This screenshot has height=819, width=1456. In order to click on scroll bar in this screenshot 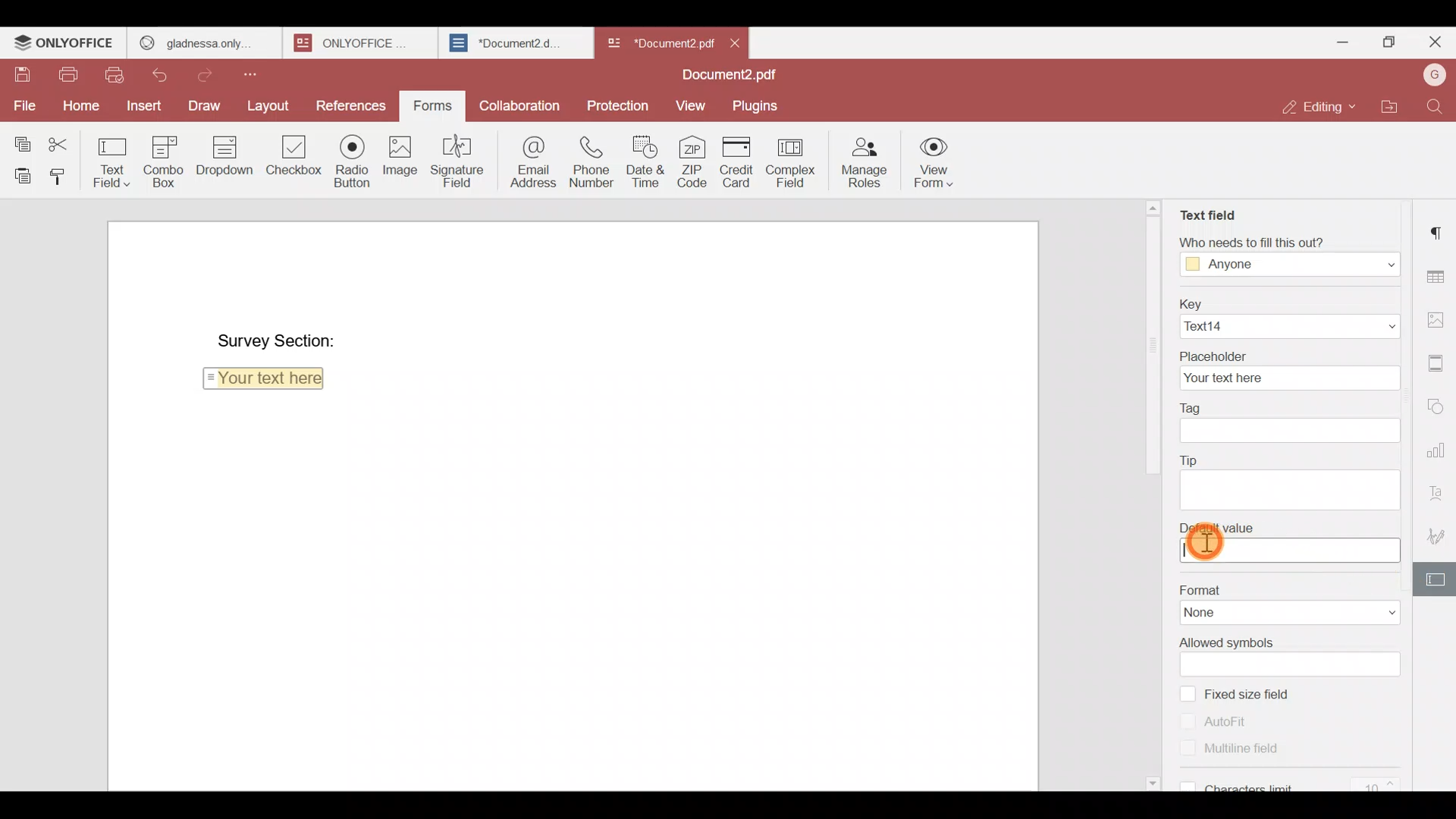, I will do `click(1148, 338)`.